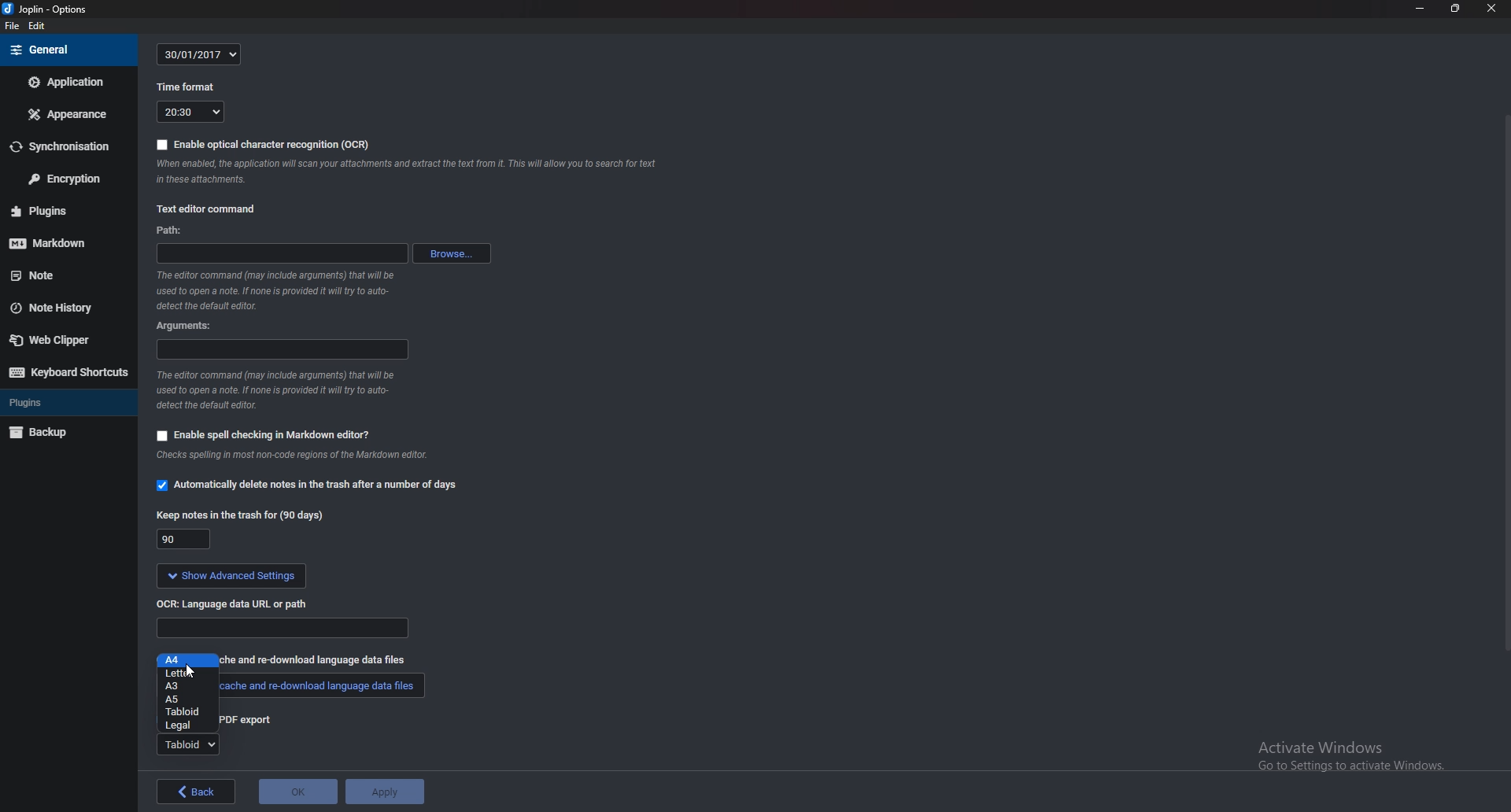 This screenshot has height=812, width=1511. I want to click on Note history, so click(62, 306).